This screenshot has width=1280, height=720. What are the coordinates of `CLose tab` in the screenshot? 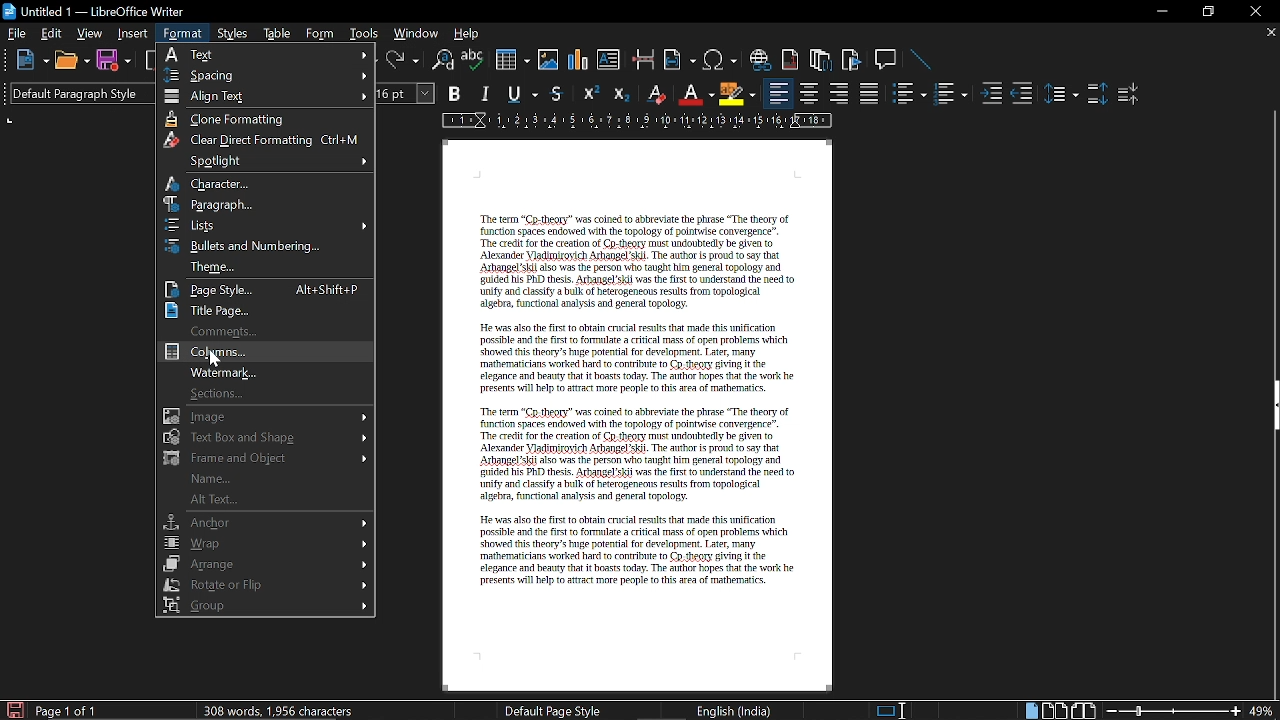 It's located at (1270, 32).